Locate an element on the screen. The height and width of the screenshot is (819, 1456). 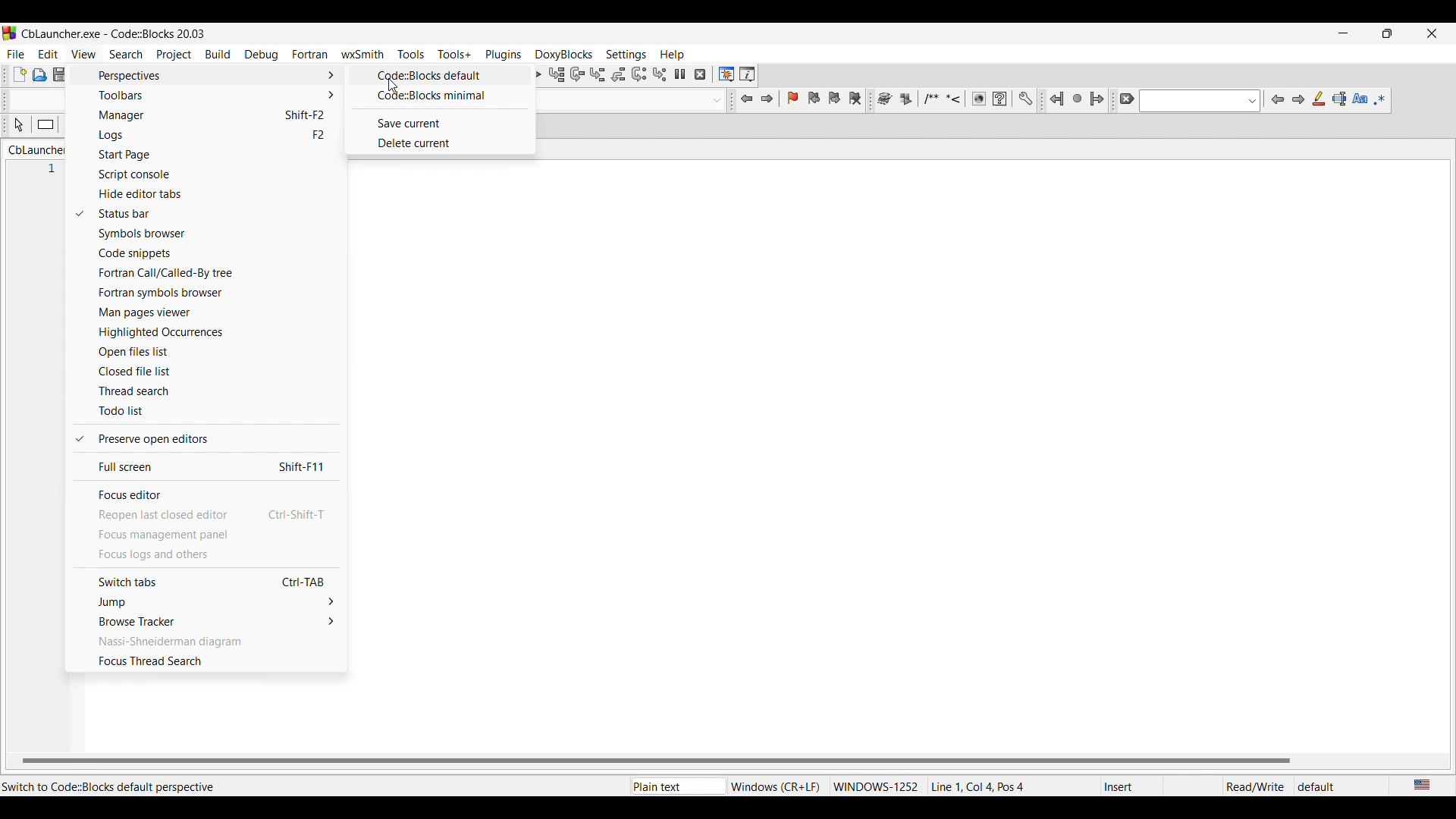
Perspective options is located at coordinates (215, 75).